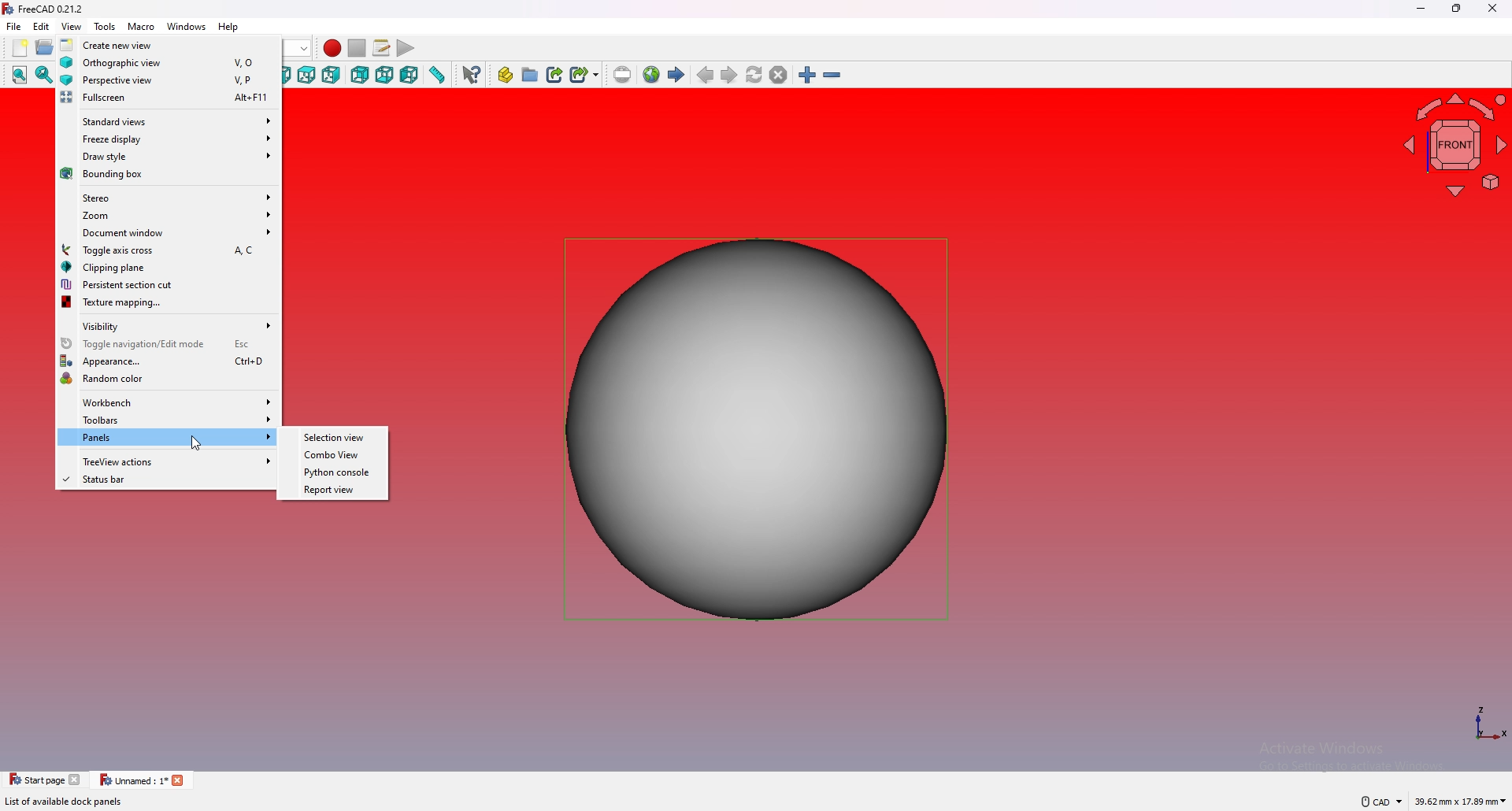 The width and height of the screenshot is (1512, 811). I want to click on measure distance, so click(439, 74).